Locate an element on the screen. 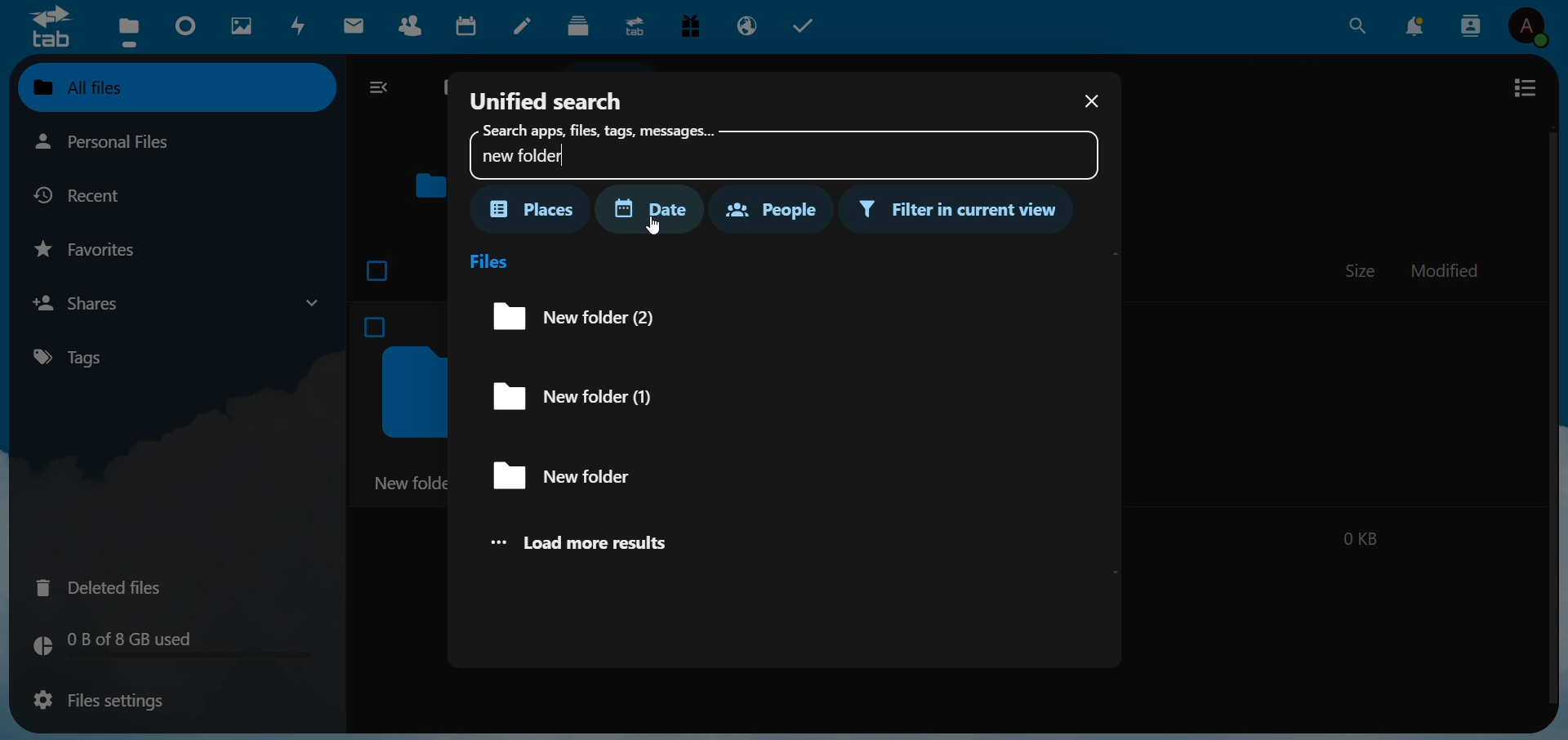 This screenshot has height=740, width=1568. people is located at coordinates (768, 207).